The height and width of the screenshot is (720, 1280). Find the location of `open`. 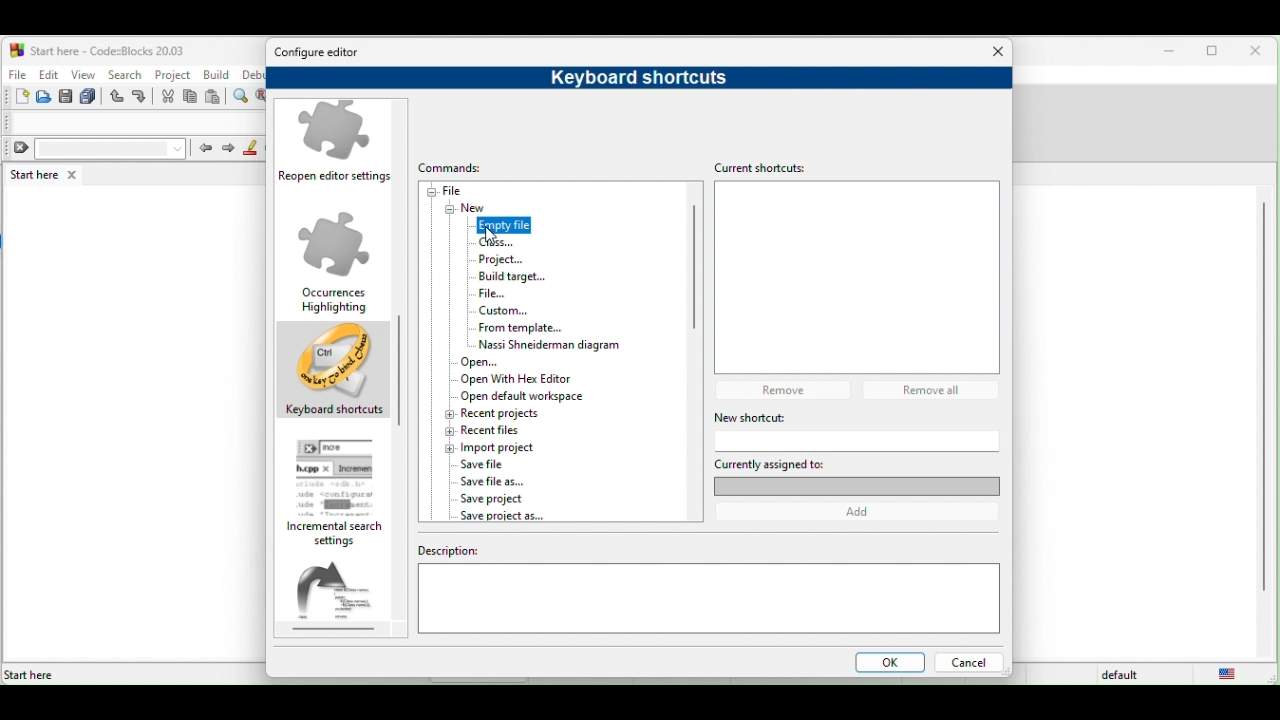

open is located at coordinates (488, 361).